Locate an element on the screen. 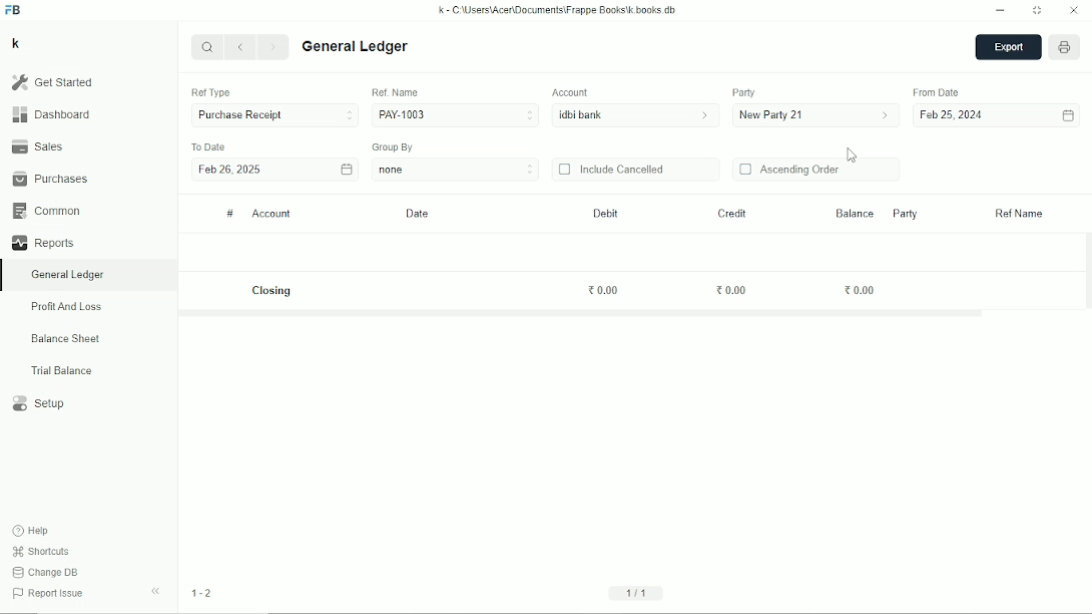  Close is located at coordinates (1074, 11).